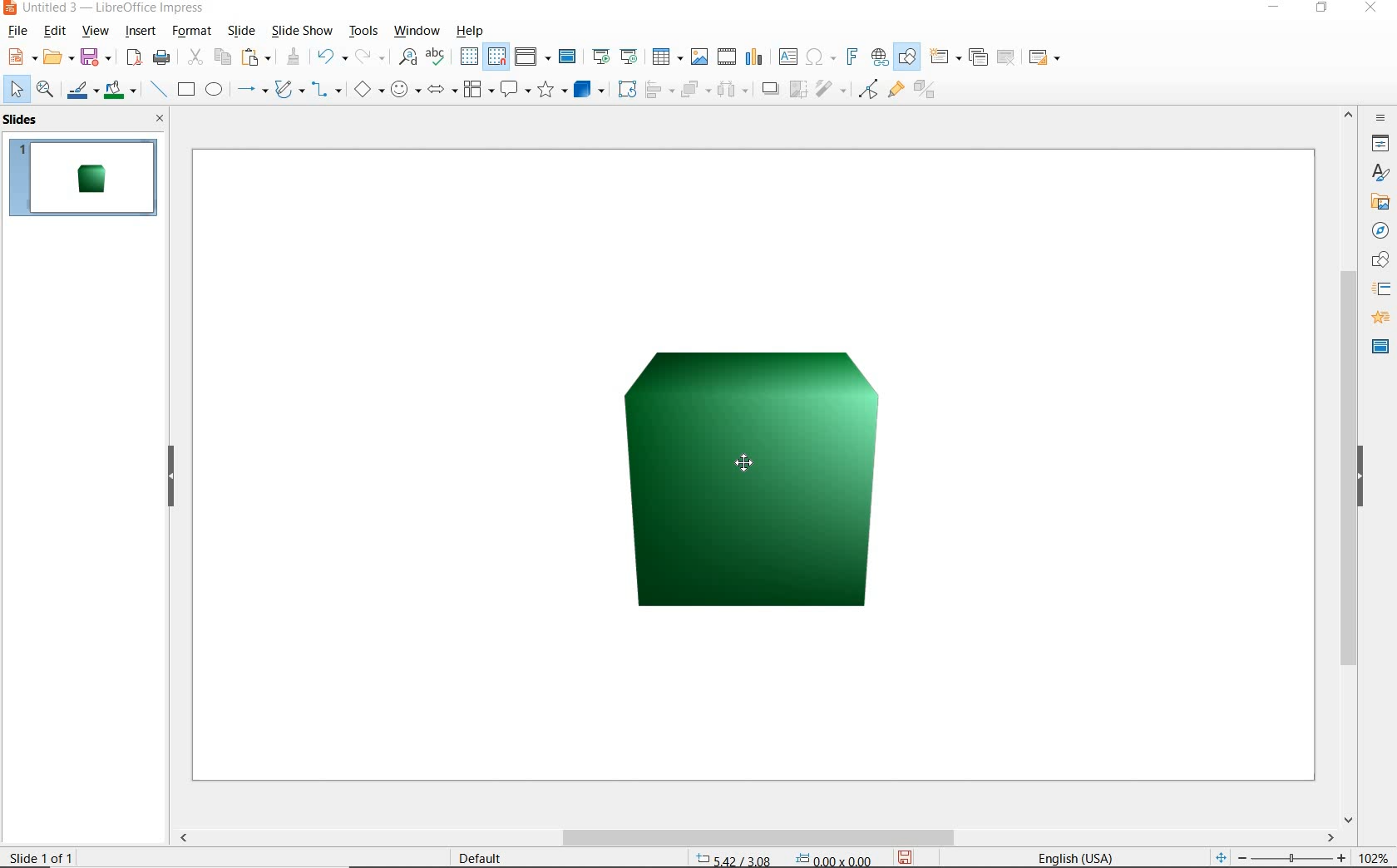  Describe the element at coordinates (533, 57) in the screenshot. I see `display views` at that location.